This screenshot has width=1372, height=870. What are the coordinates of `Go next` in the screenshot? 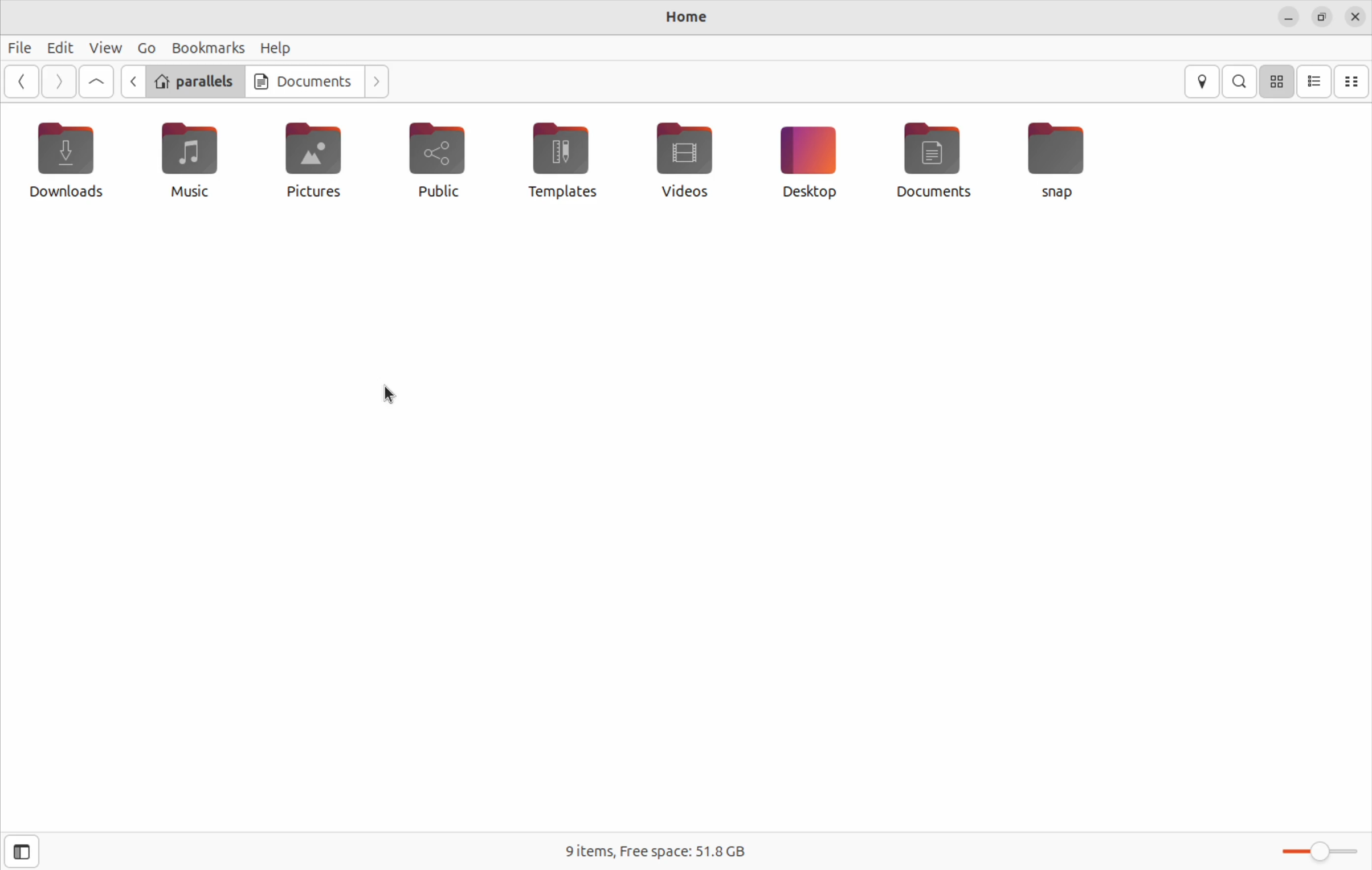 It's located at (379, 83).